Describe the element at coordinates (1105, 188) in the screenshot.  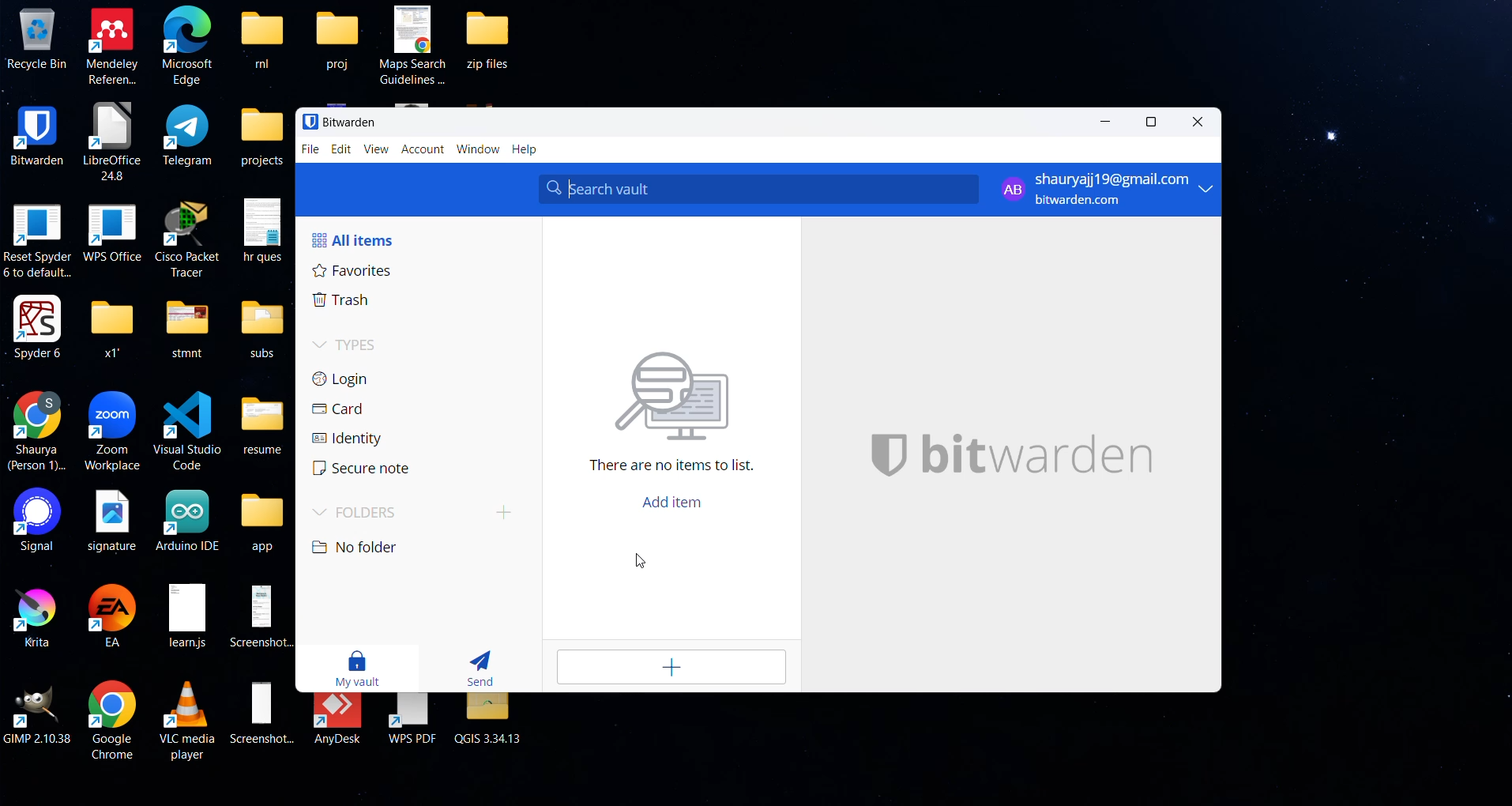
I see `shauryajj19@gmail.com bitwarden.com` at that location.